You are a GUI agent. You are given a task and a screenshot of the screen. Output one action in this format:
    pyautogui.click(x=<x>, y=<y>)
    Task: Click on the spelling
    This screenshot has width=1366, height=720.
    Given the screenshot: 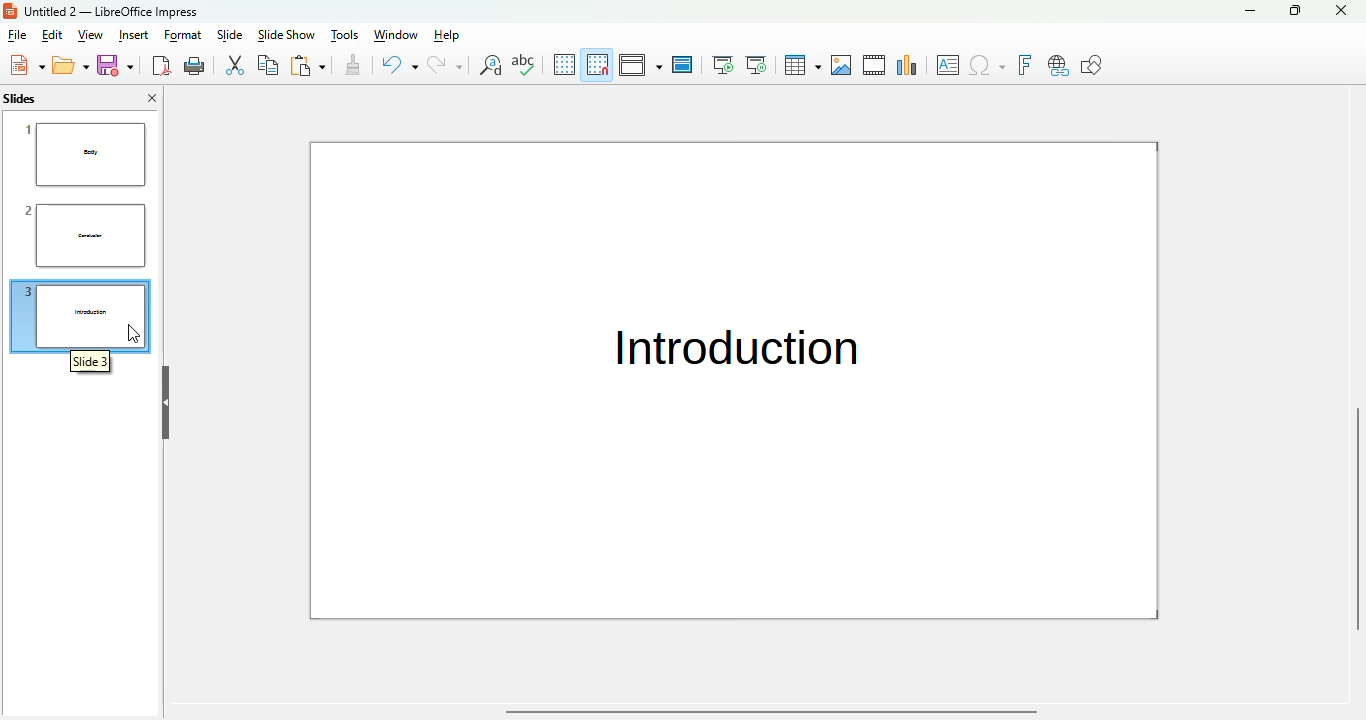 What is the action you would take?
    pyautogui.click(x=523, y=64)
    